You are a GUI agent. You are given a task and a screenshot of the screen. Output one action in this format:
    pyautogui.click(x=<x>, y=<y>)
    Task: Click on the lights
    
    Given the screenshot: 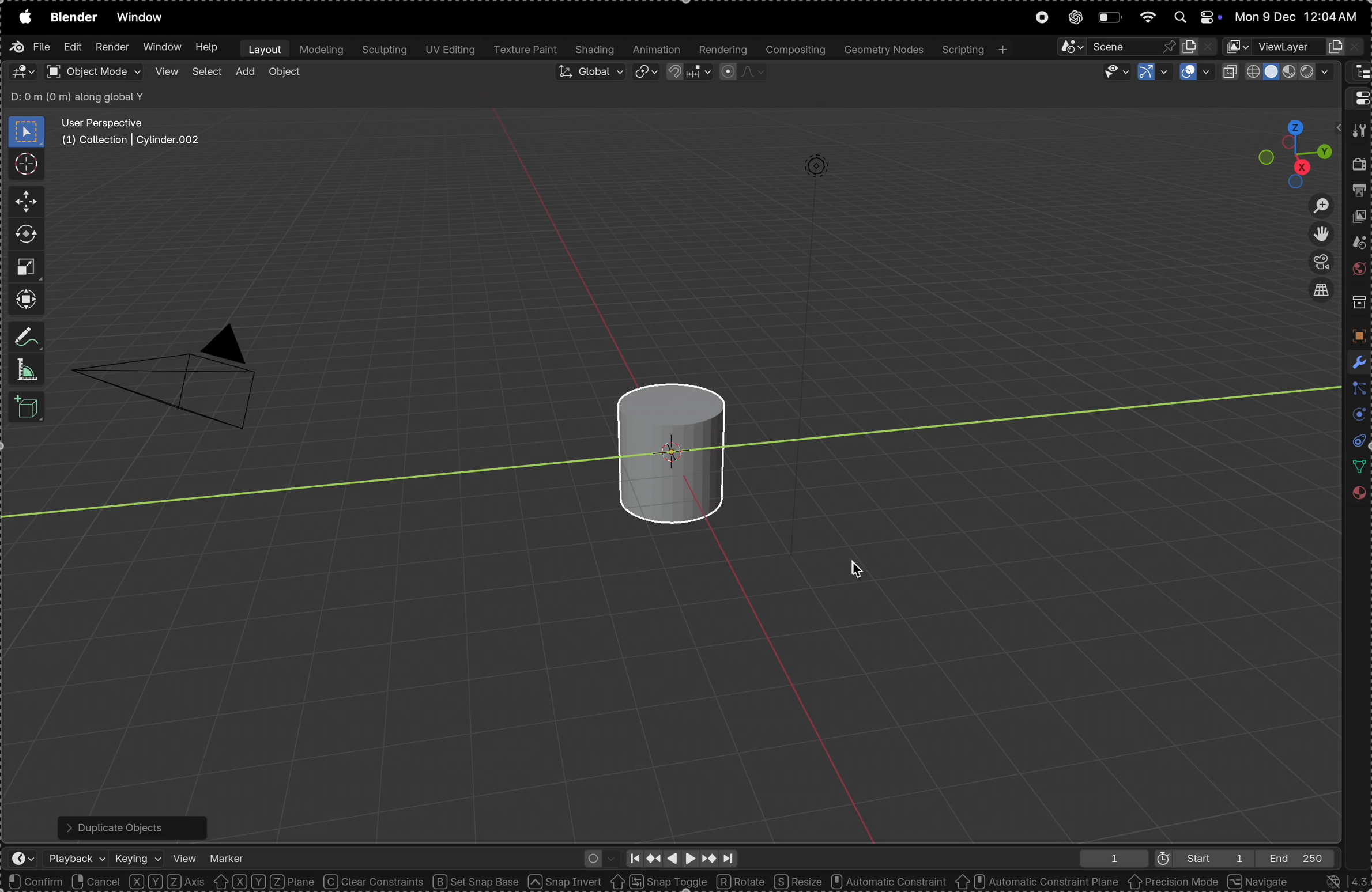 What is the action you would take?
    pyautogui.click(x=811, y=173)
    